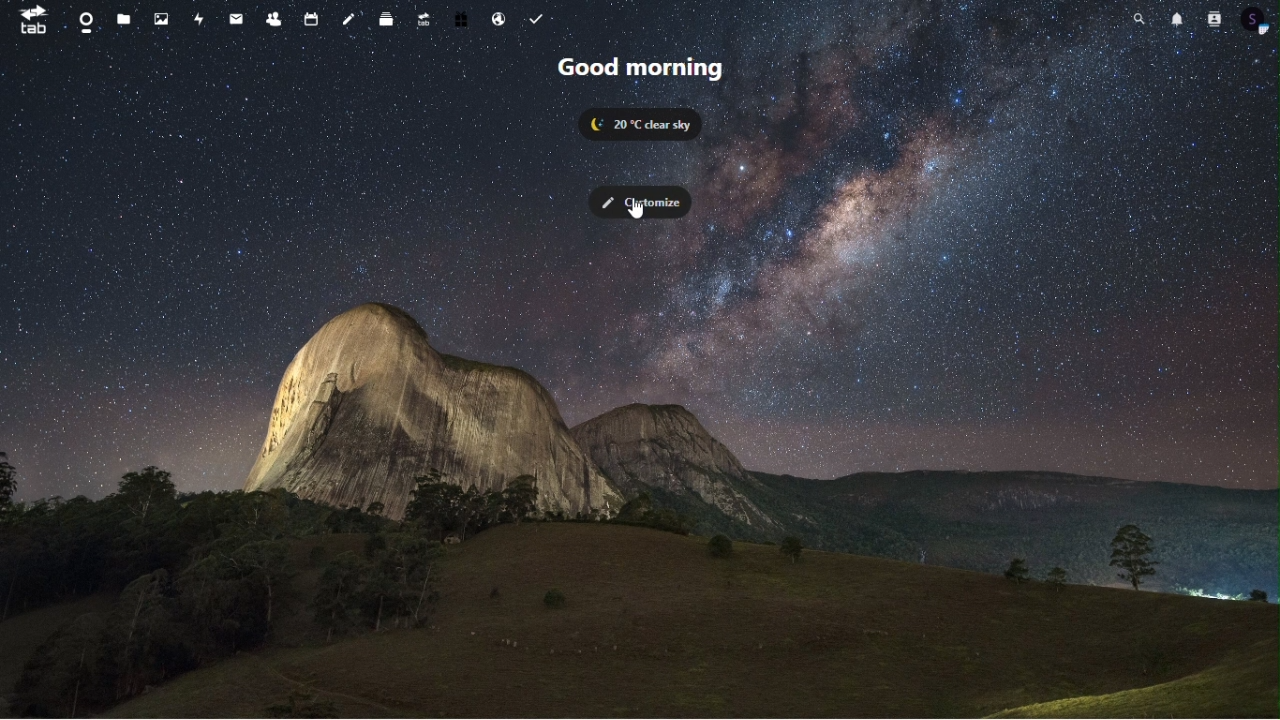  Describe the element at coordinates (424, 16) in the screenshot. I see `upgrade` at that location.